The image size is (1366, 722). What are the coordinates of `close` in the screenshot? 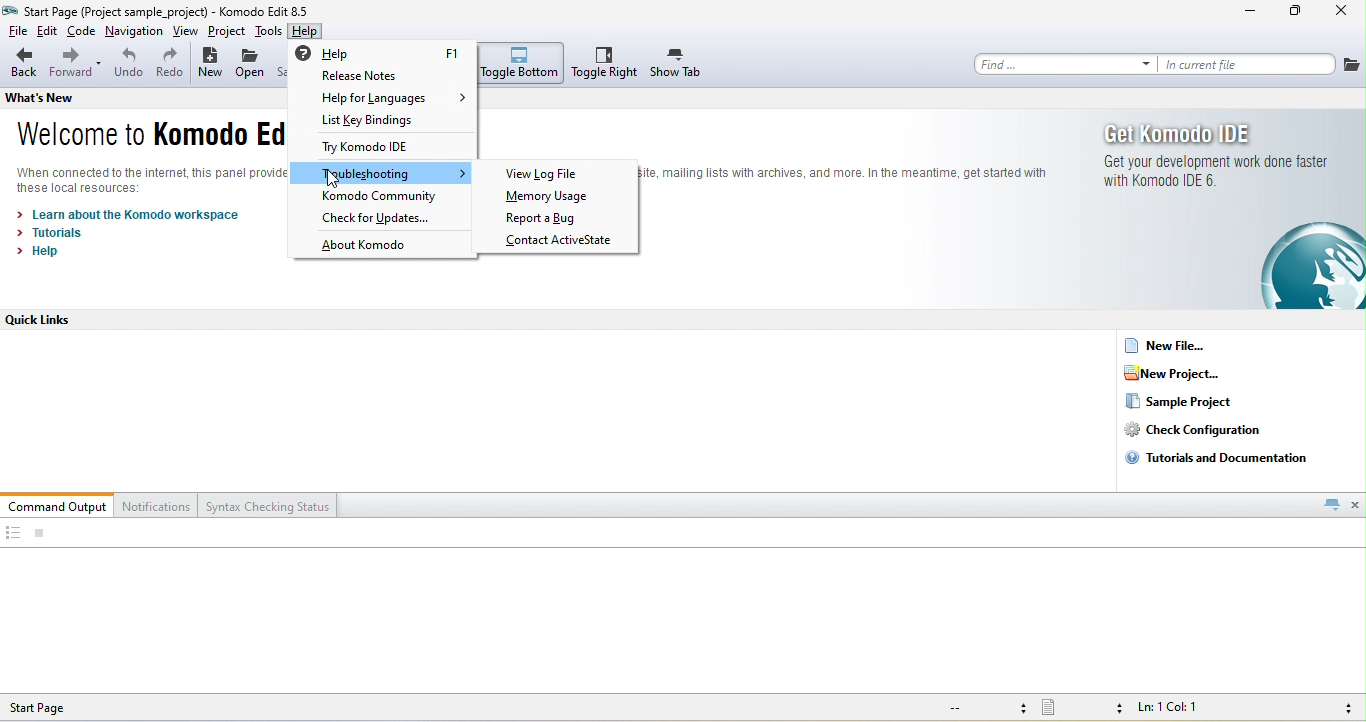 It's located at (1343, 13).